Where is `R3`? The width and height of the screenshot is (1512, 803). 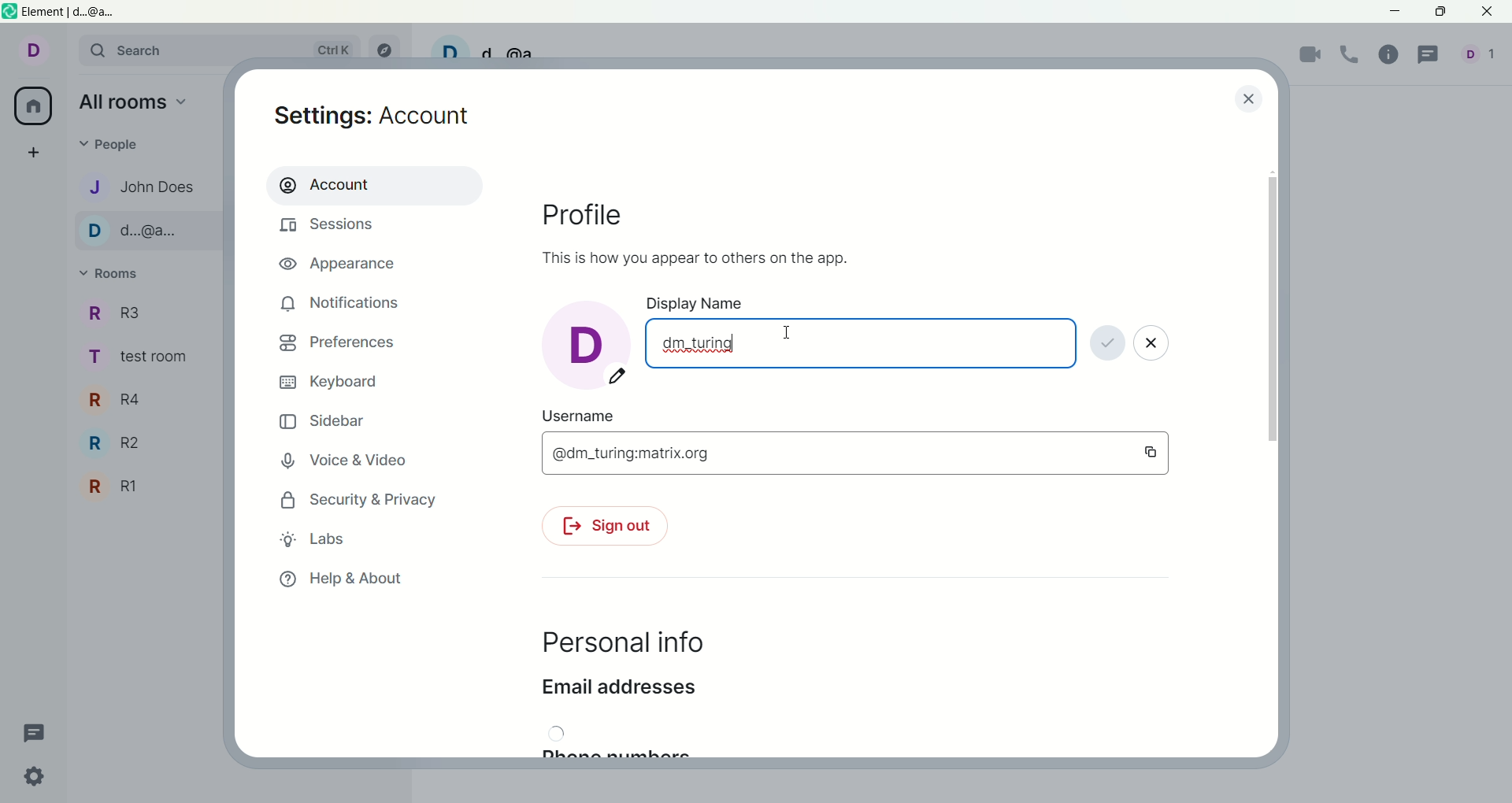
R3 is located at coordinates (125, 313).